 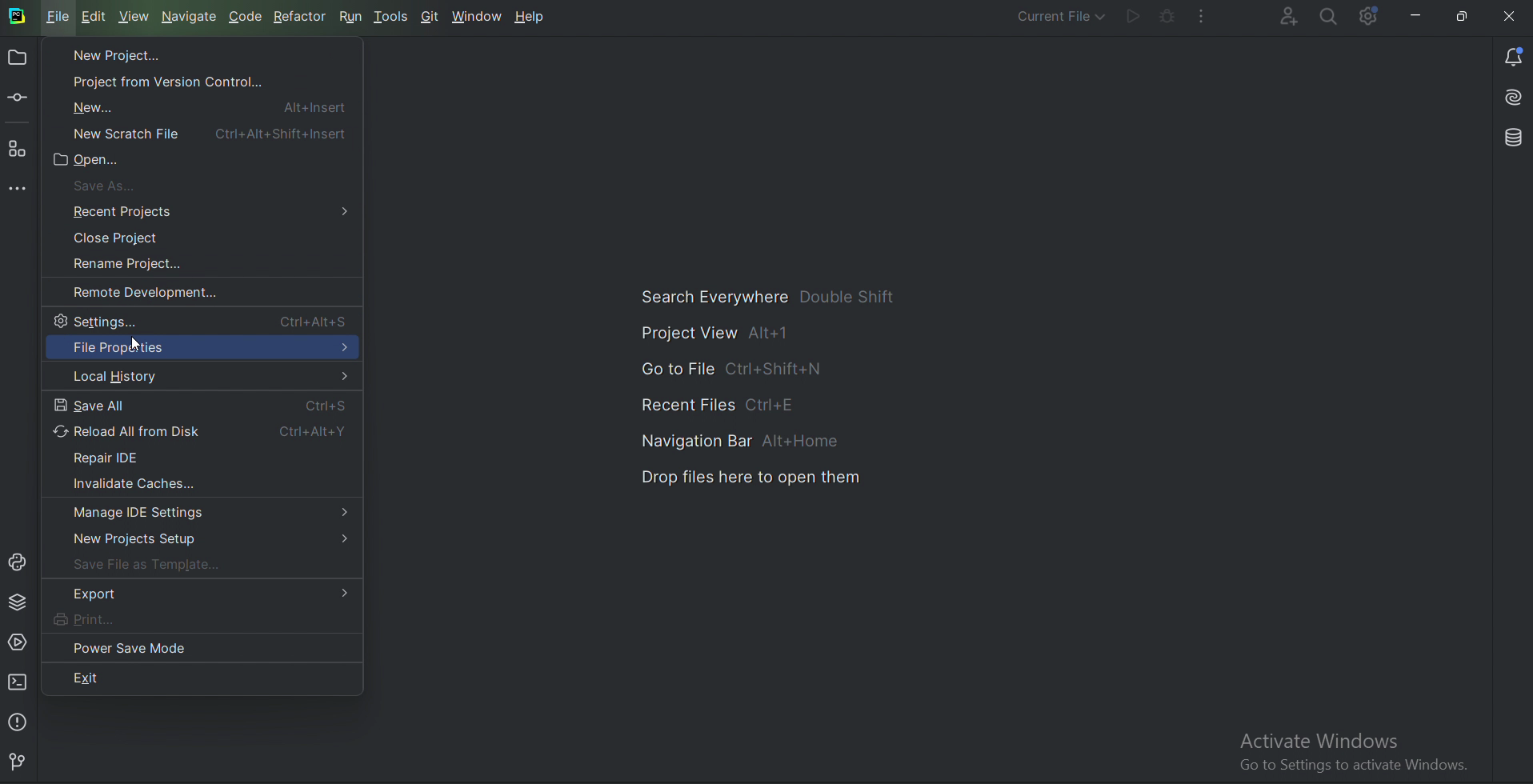 What do you see at coordinates (18, 17) in the screenshot?
I see `Pycharm` at bounding box center [18, 17].